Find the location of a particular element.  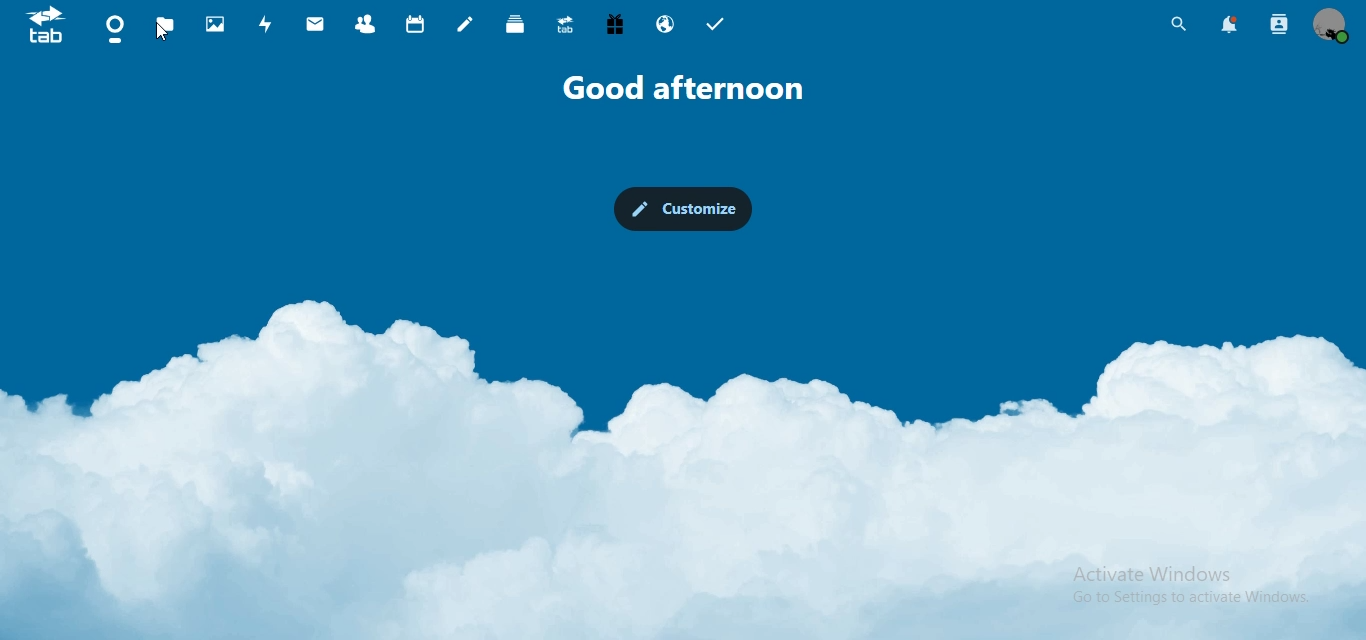

calendar is located at coordinates (415, 23).